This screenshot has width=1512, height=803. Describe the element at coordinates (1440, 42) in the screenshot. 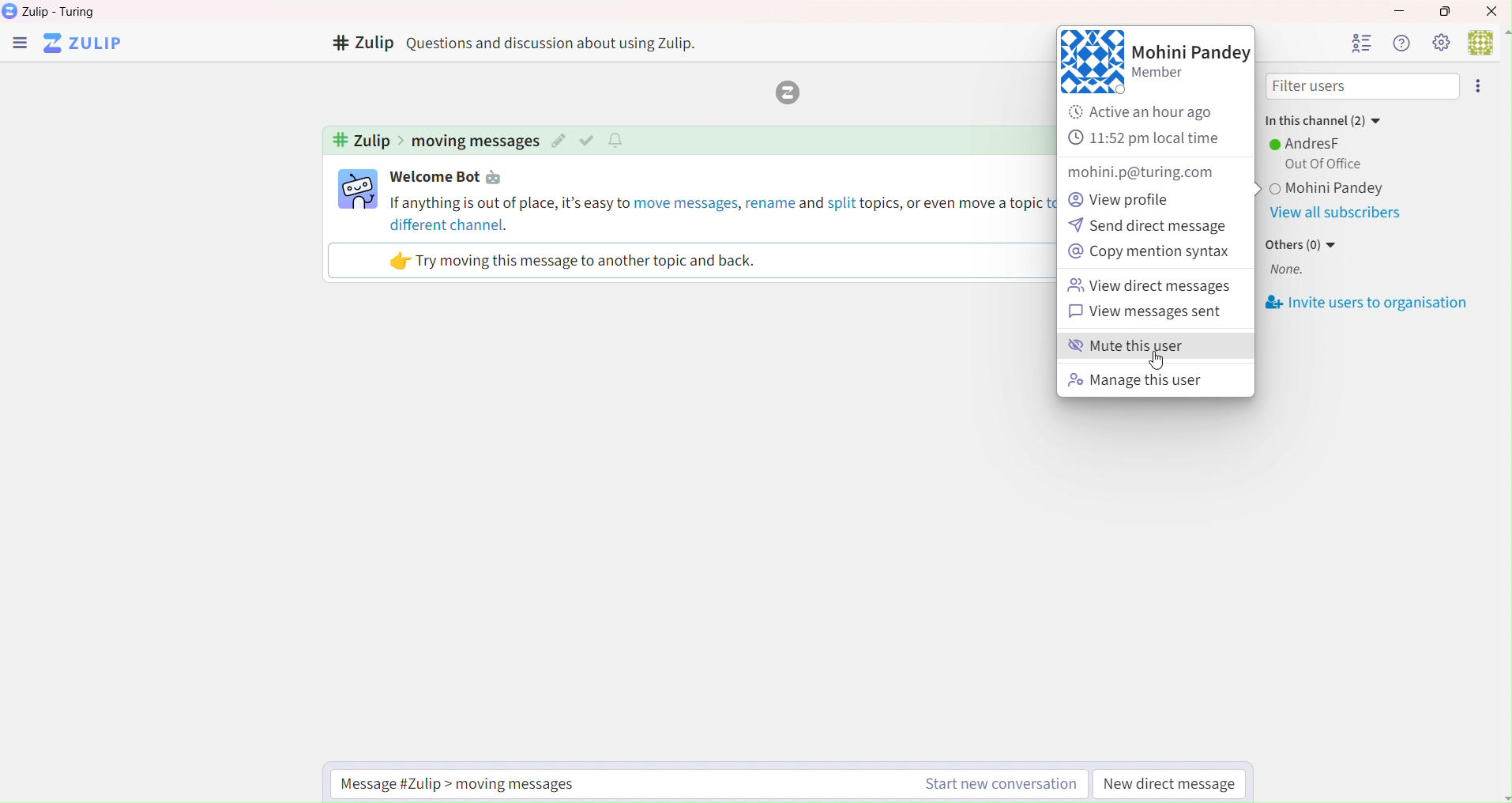

I see `Settings` at that location.